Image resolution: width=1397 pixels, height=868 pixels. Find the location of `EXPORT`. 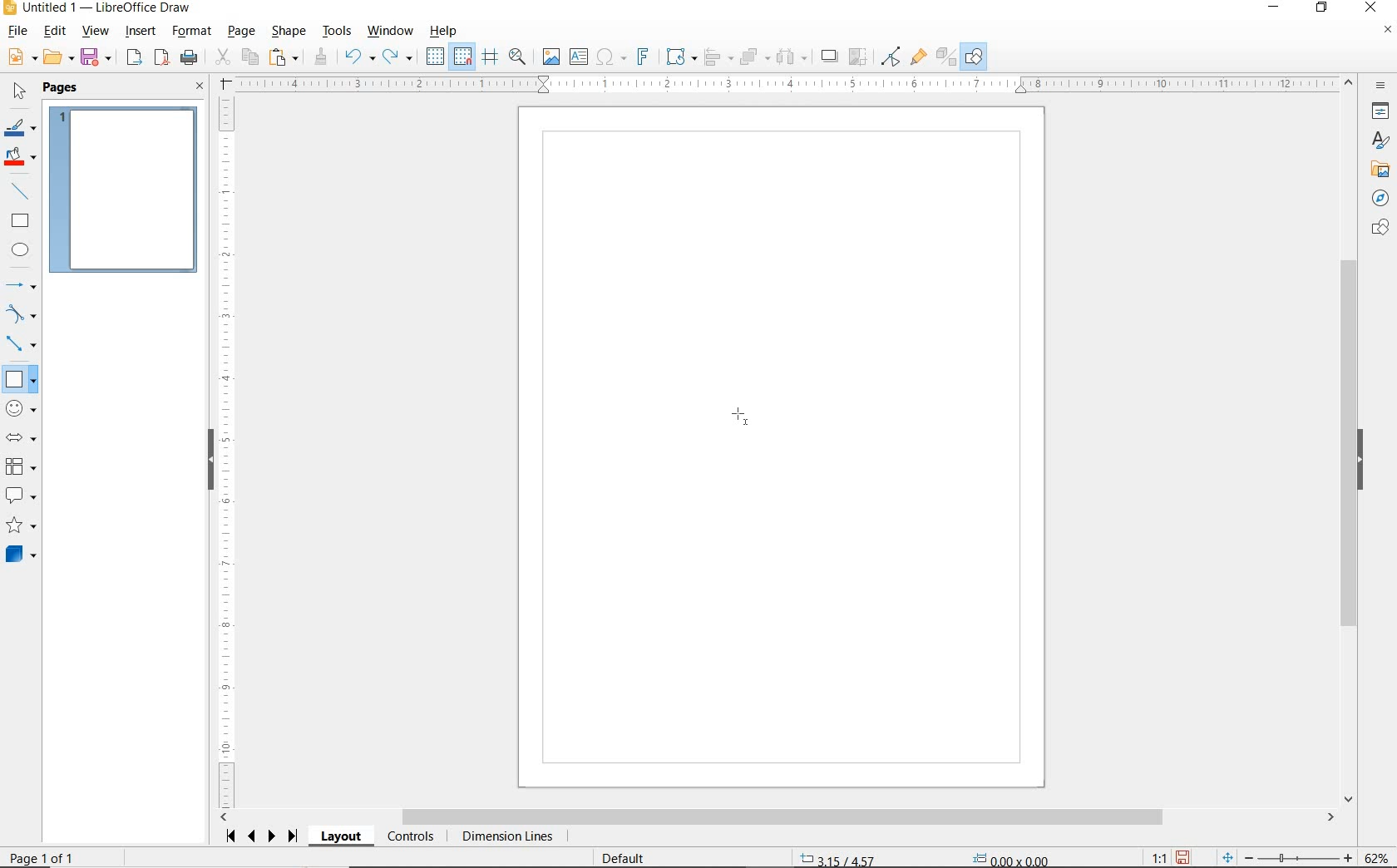

EXPORT is located at coordinates (135, 59).